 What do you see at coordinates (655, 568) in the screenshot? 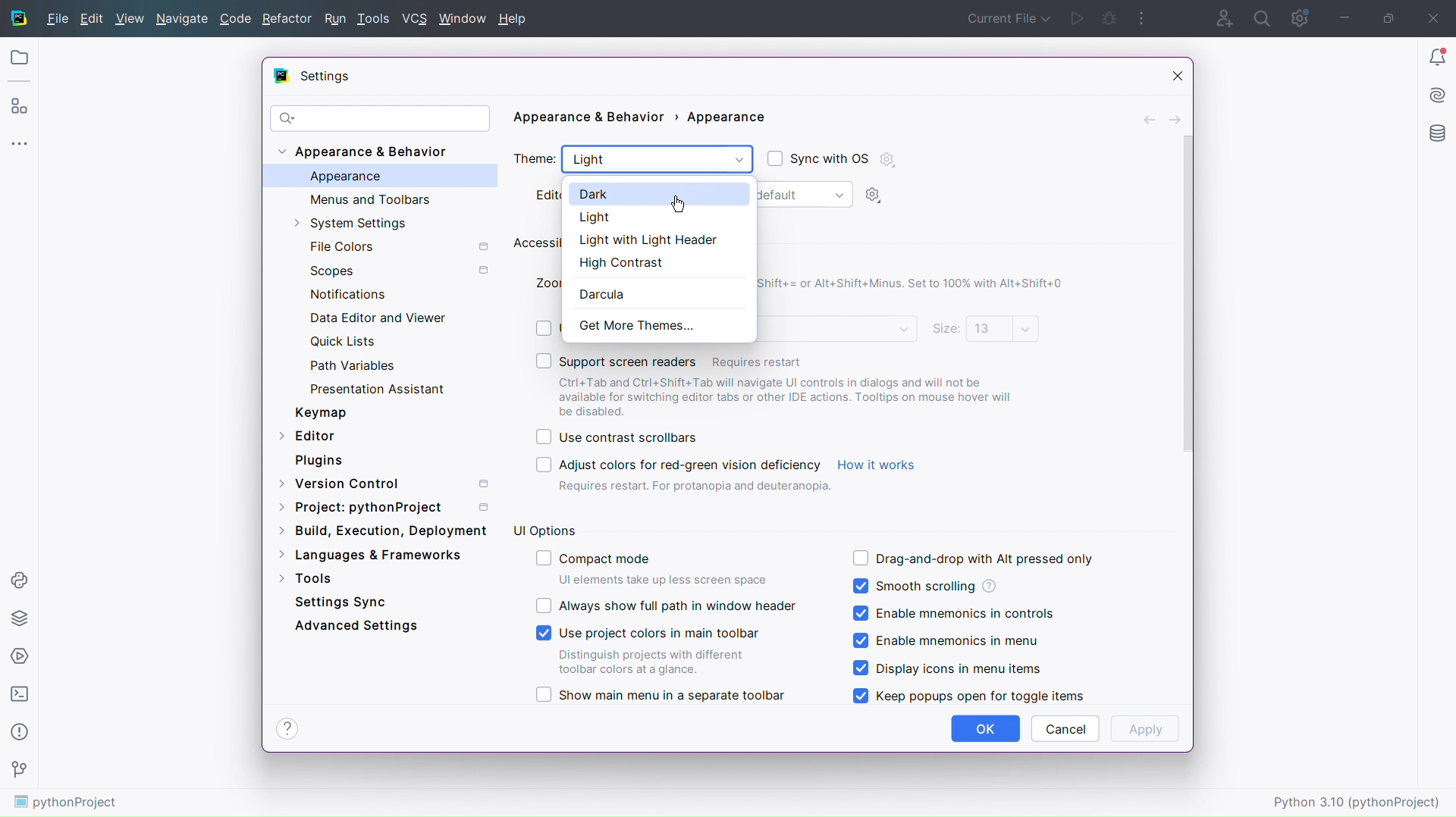
I see `Compact mode` at bounding box center [655, 568].